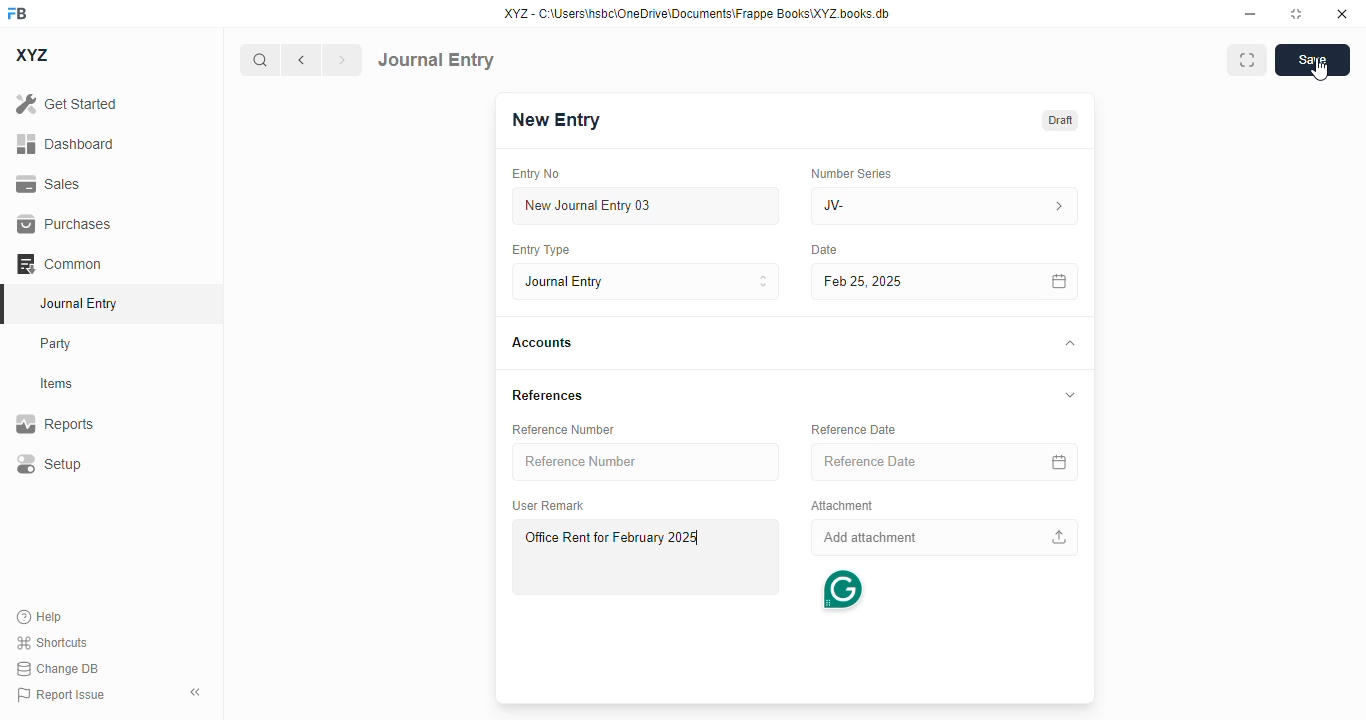 This screenshot has height=720, width=1366. What do you see at coordinates (301, 60) in the screenshot?
I see `previous` at bounding box center [301, 60].